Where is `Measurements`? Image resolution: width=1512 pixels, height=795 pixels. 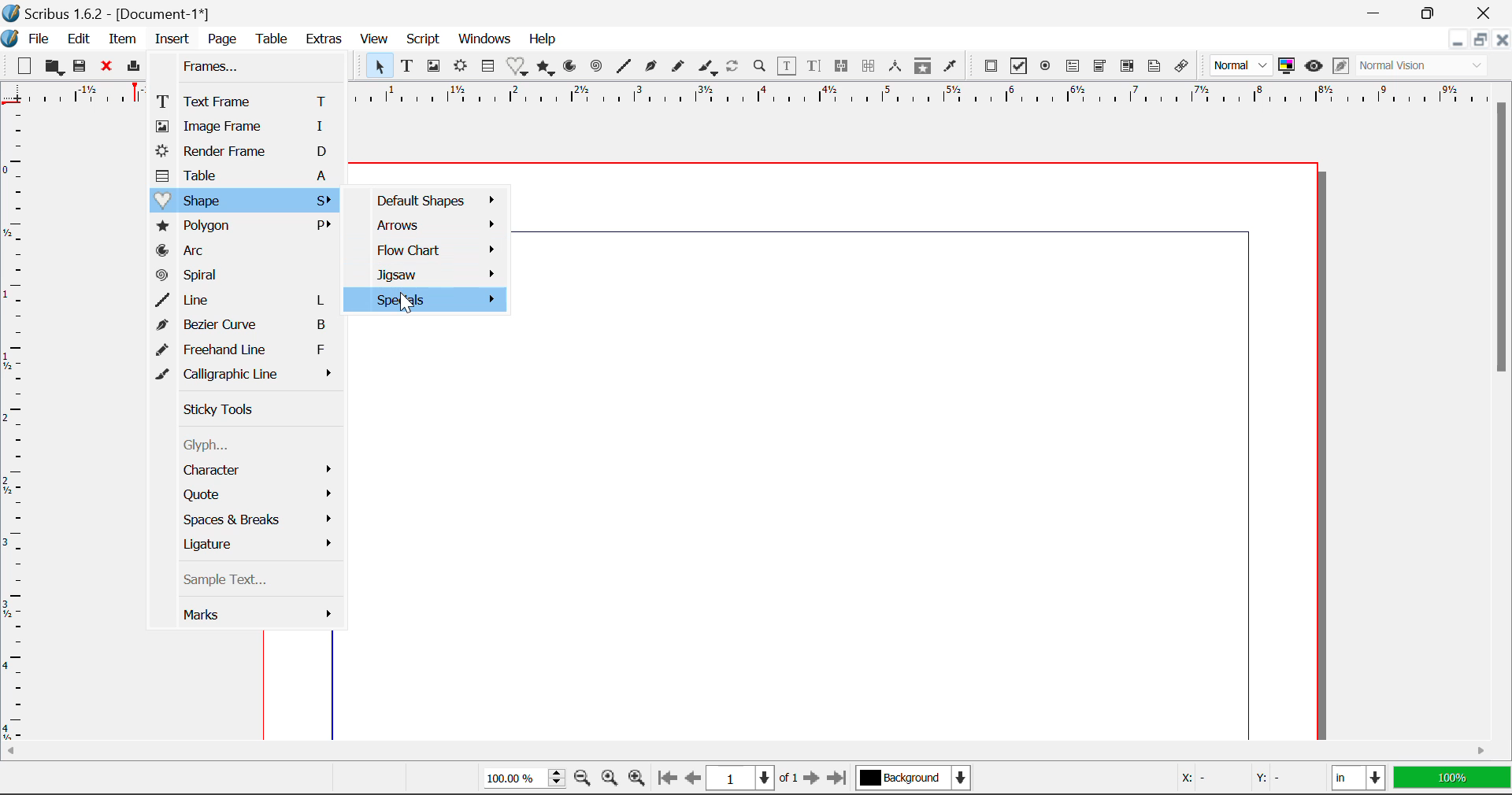 Measurements is located at coordinates (897, 67).